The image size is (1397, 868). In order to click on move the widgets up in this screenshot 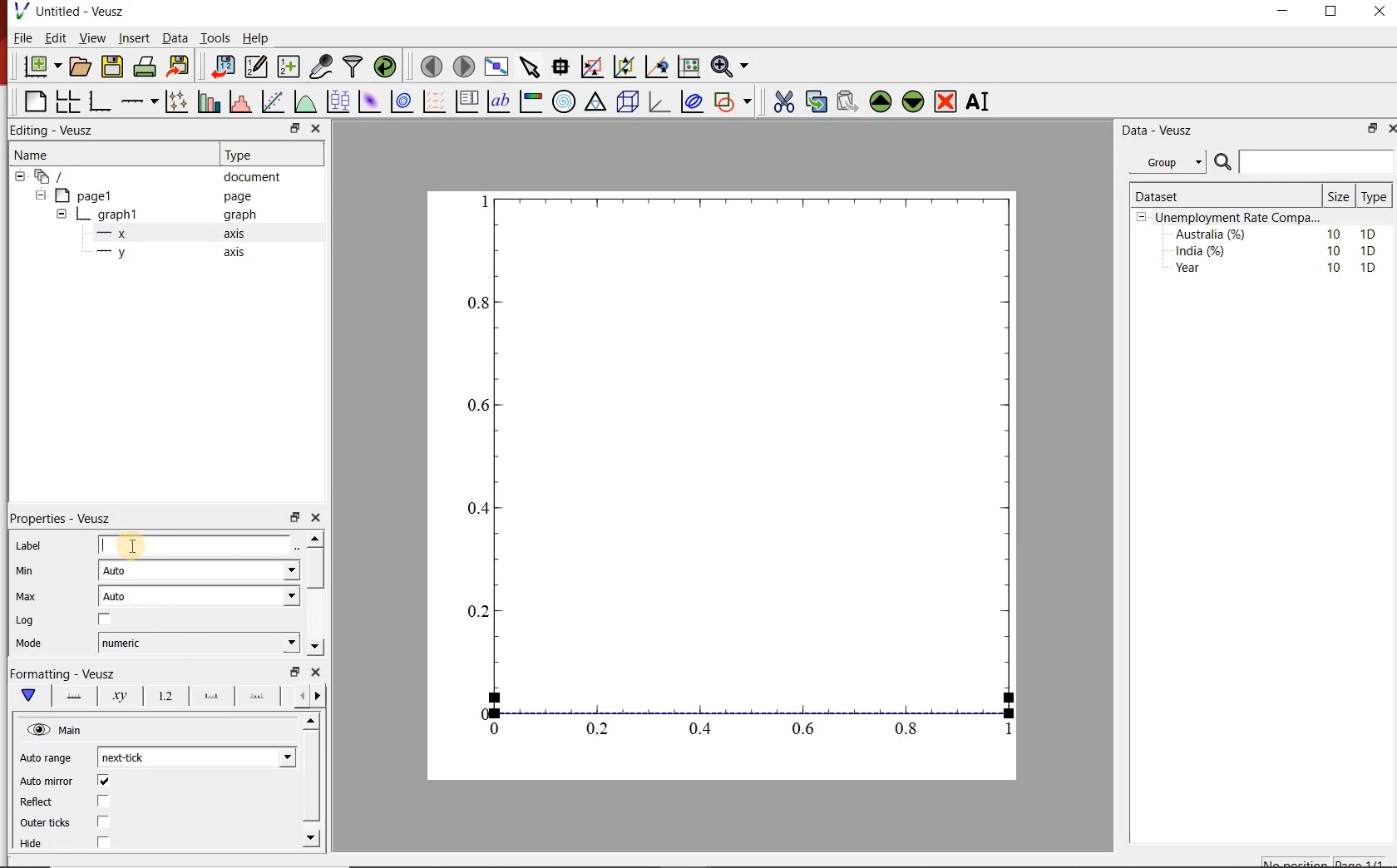, I will do `click(881, 101)`.